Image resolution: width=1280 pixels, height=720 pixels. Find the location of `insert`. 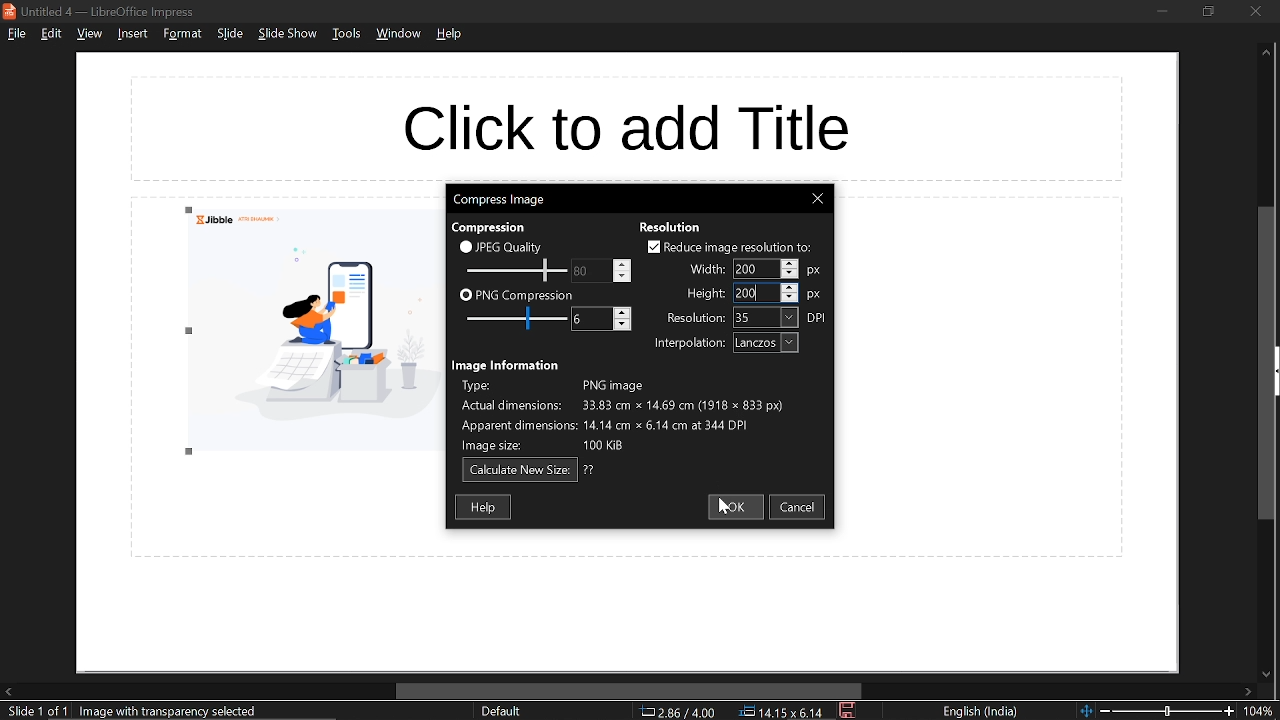

insert is located at coordinates (130, 33).